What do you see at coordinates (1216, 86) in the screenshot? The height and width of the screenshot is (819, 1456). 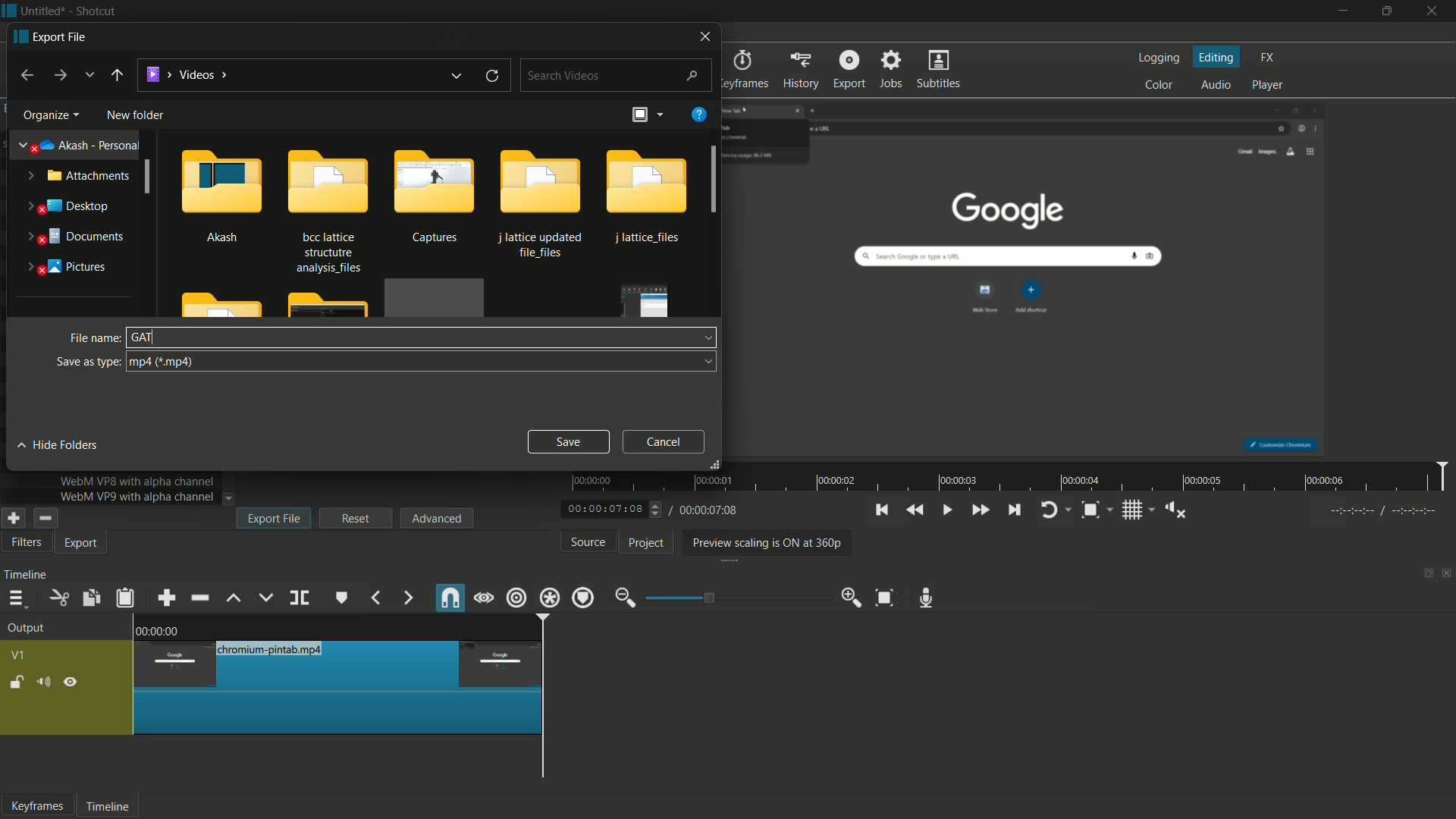 I see `audio` at bounding box center [1216, 86].